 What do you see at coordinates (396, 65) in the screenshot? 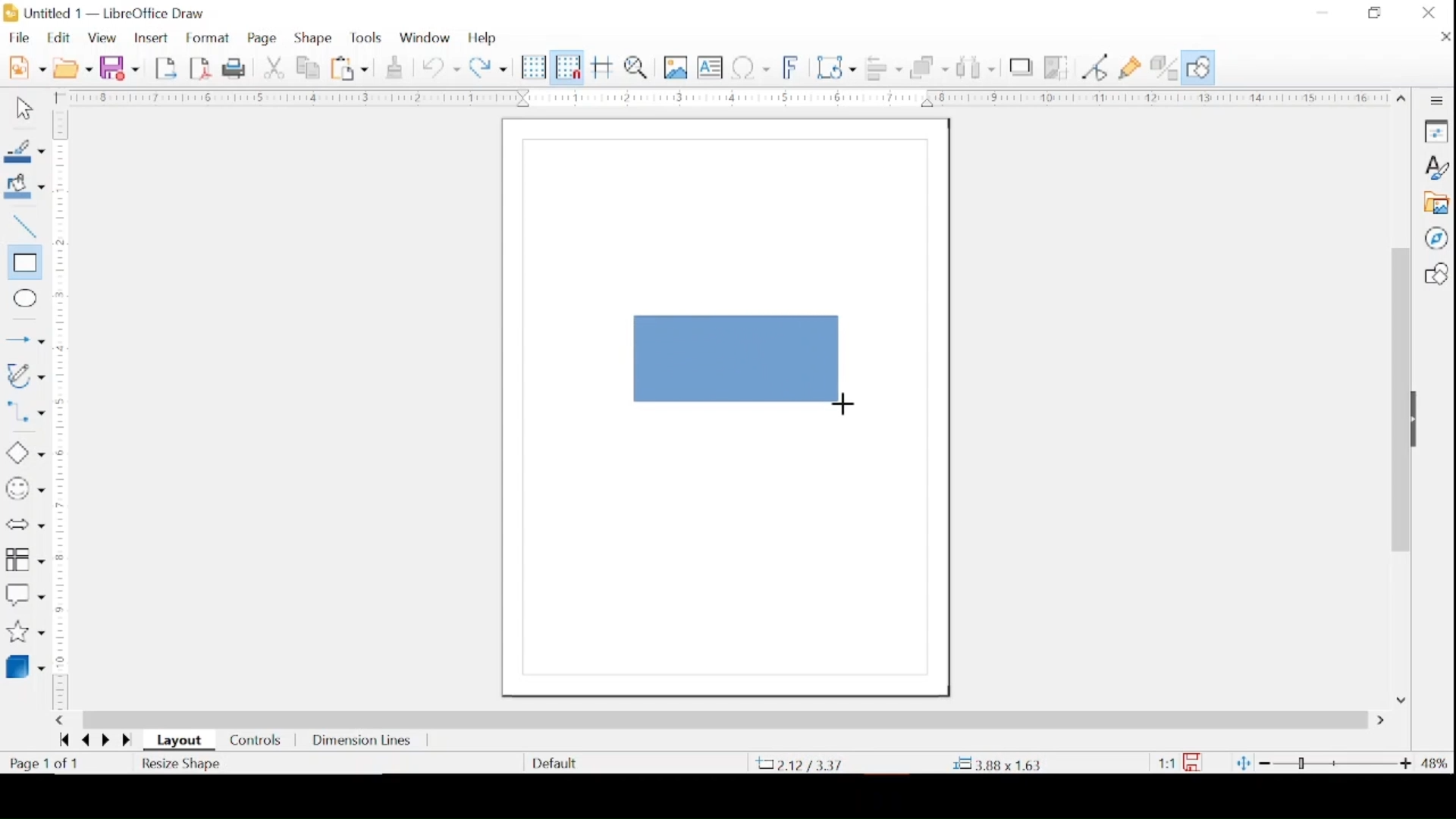
I see `clone formatting` at bounding box center [396, 65].